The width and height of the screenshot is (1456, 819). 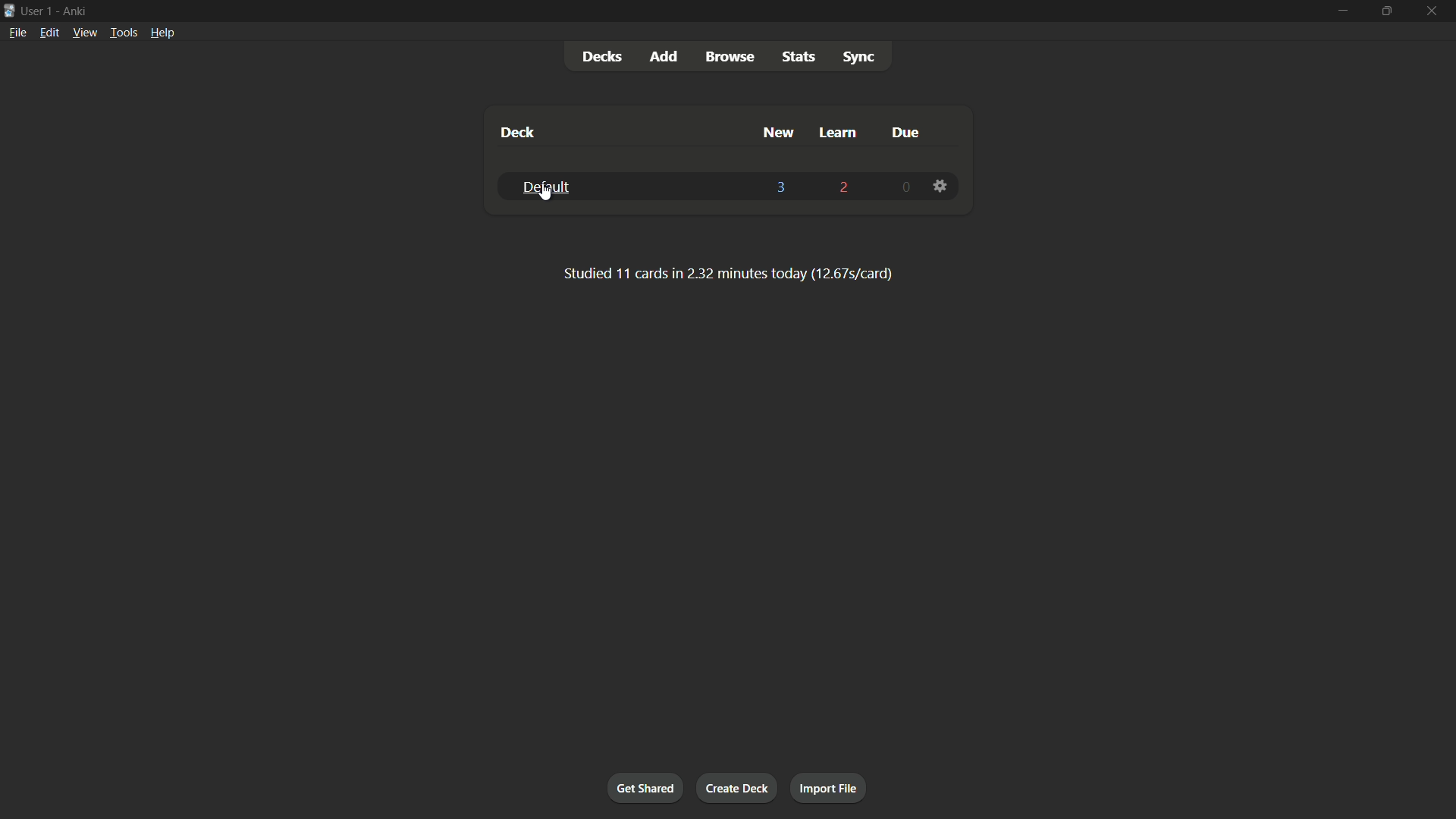 What do you see at coordinates (841, 187) in the screenshot?
I see `2` at bounding box center [841, 187].